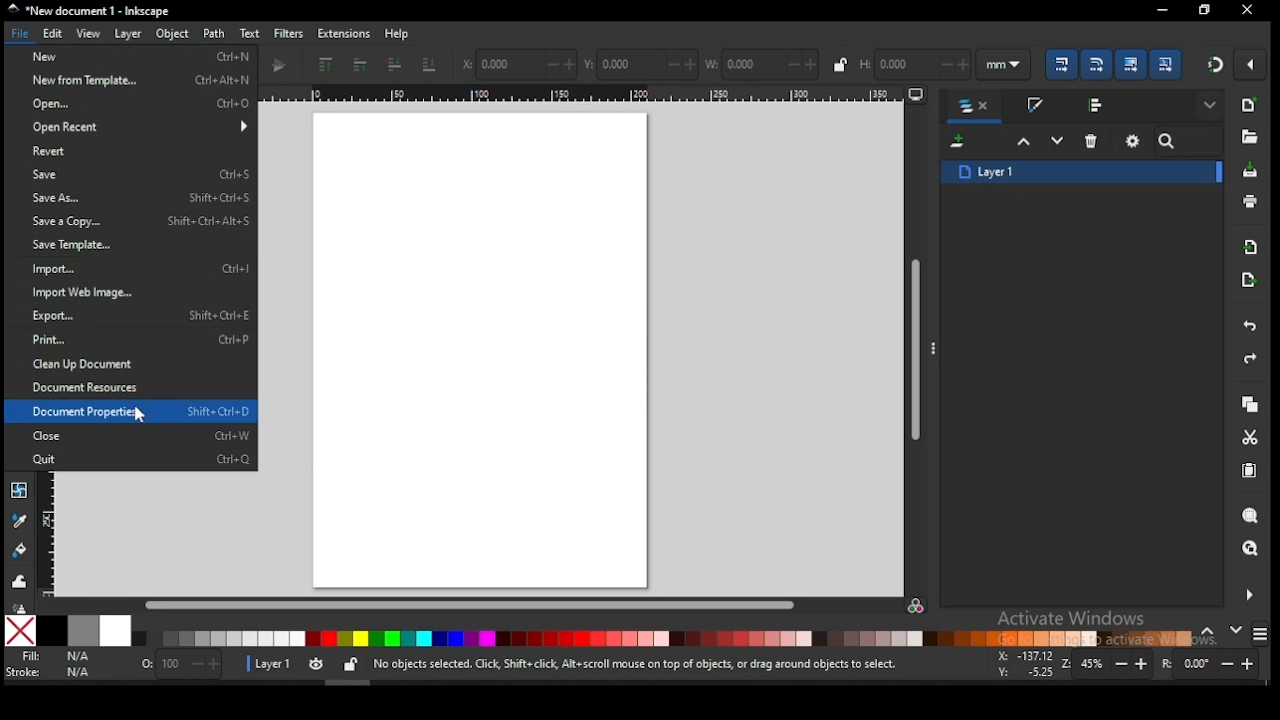 The height and width of the screenshot is (720, 1280). What do you see at coordinates (139, 269) in the screenshot?
I see `import` at bounding box center [139, 269].